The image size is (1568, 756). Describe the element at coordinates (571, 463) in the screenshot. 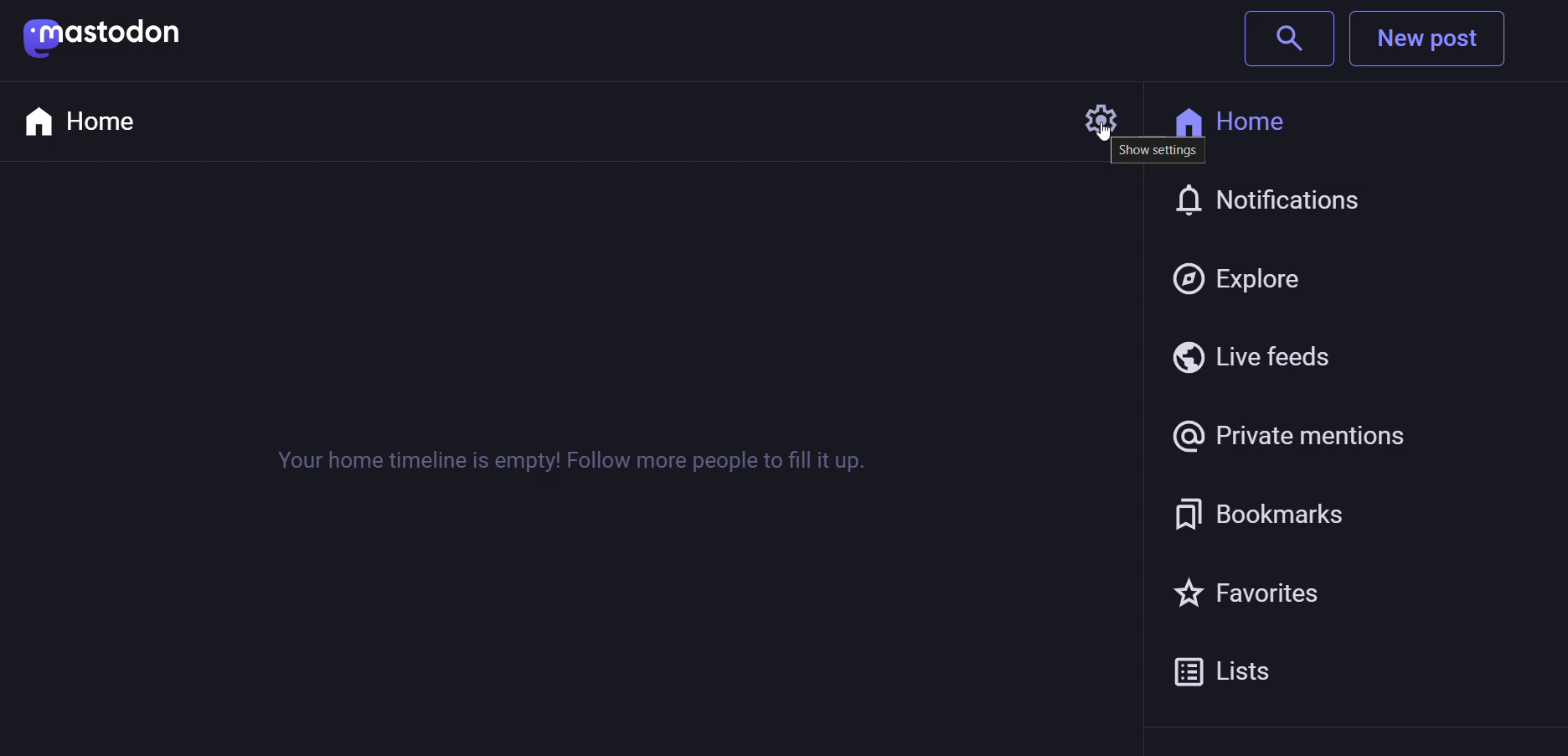

I see `Your home timeline is empty! Follow more people to fill it up.` at that location.